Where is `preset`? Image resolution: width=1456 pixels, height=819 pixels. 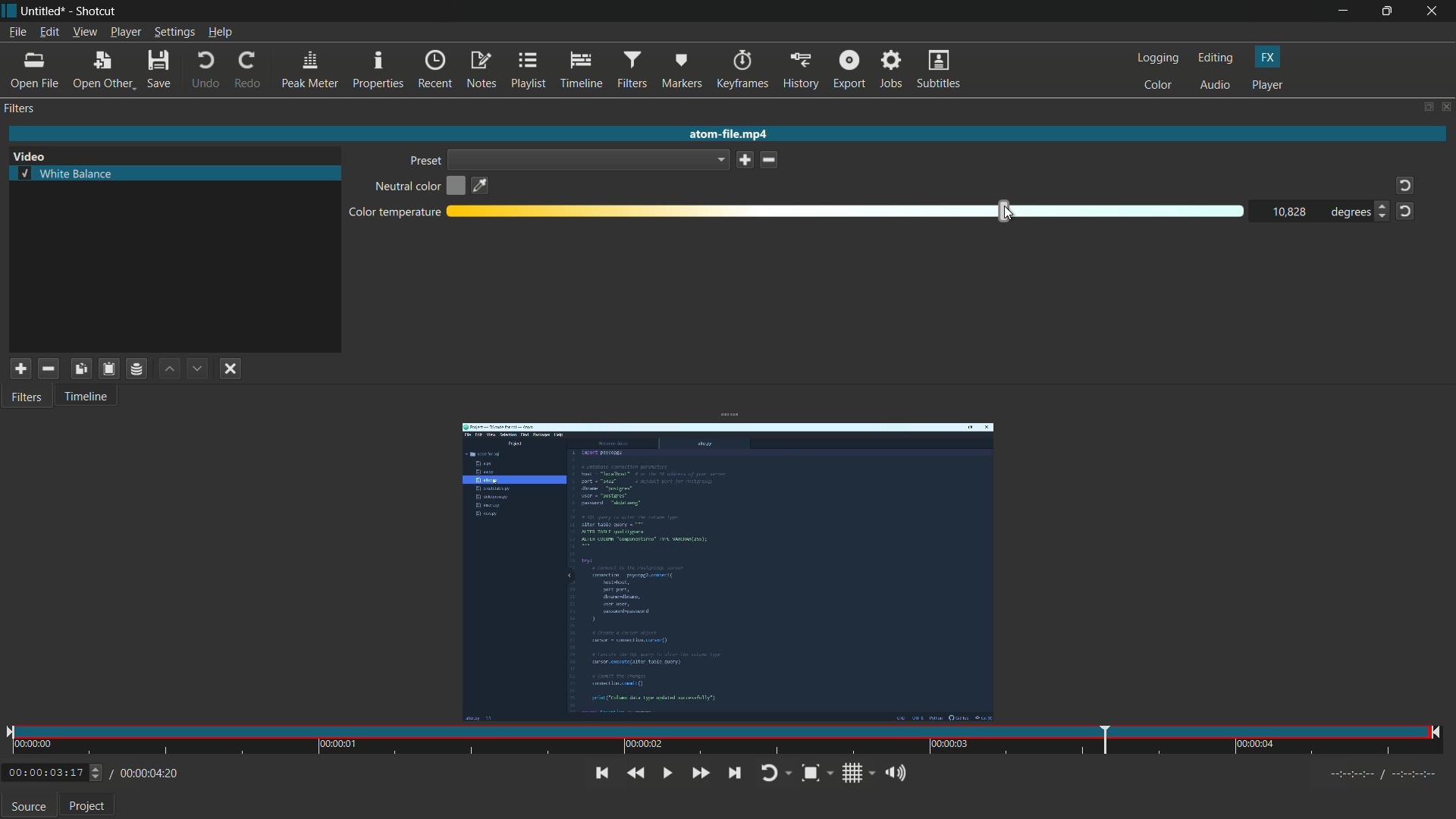
preset is located at coordinates (424, 161).